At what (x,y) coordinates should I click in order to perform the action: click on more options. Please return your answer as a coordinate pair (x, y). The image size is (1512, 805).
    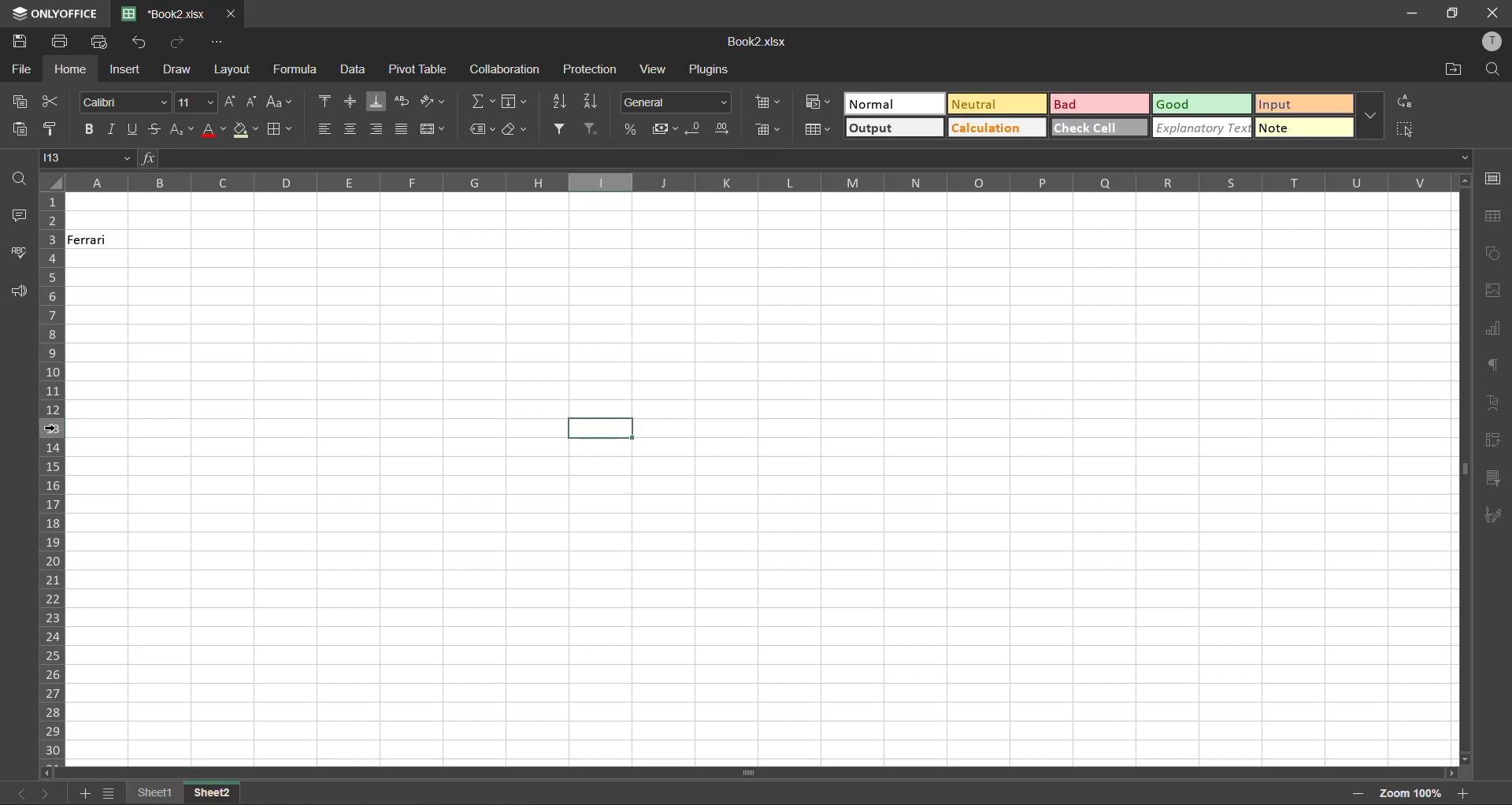
    Looking at the image, I should click on (1371, 116).